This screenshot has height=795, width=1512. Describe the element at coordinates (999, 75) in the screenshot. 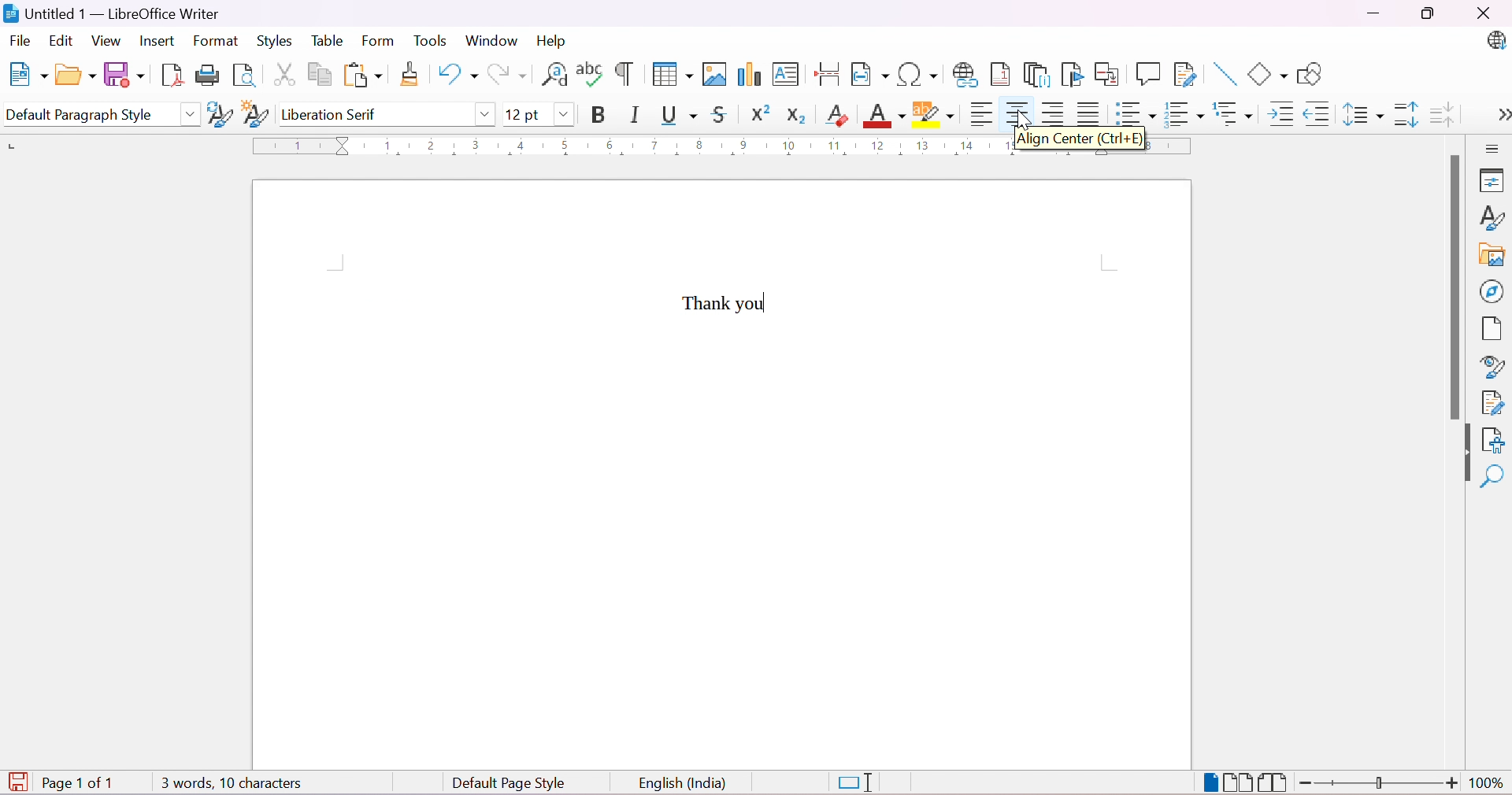

I see `Insert Footnote` at that location.